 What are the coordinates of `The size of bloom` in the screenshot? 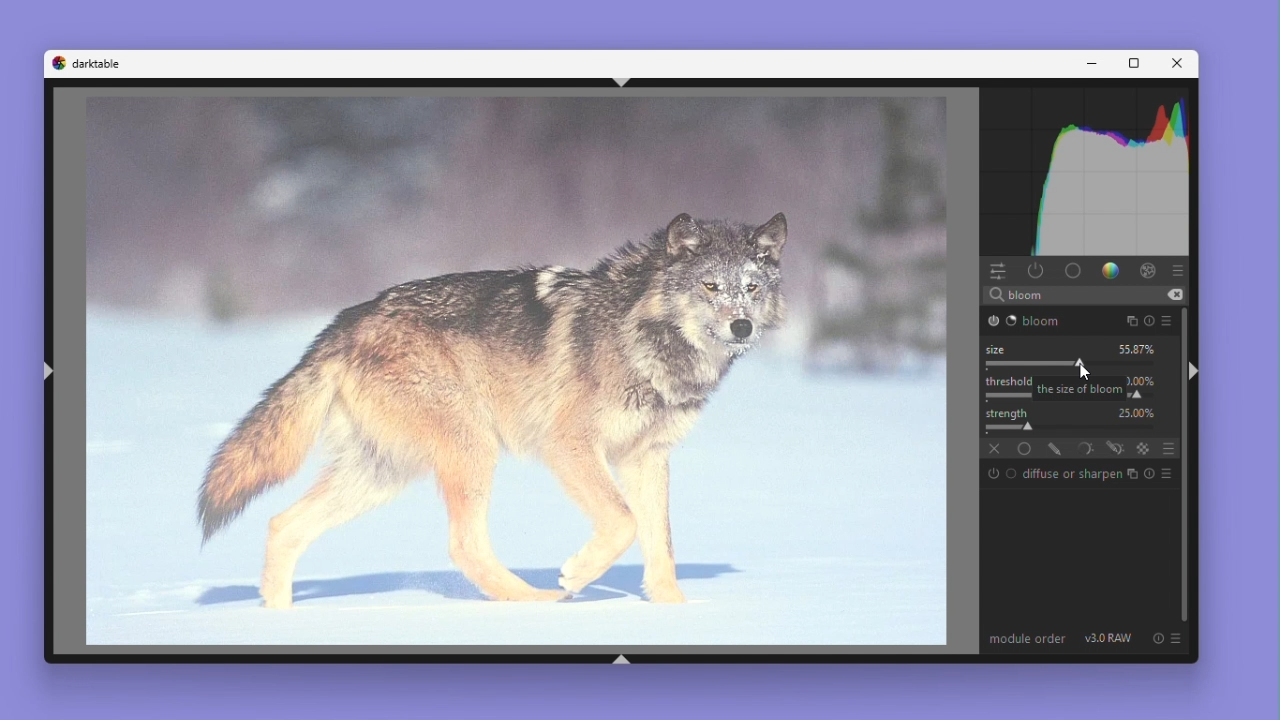 It's located at (1080, 388).